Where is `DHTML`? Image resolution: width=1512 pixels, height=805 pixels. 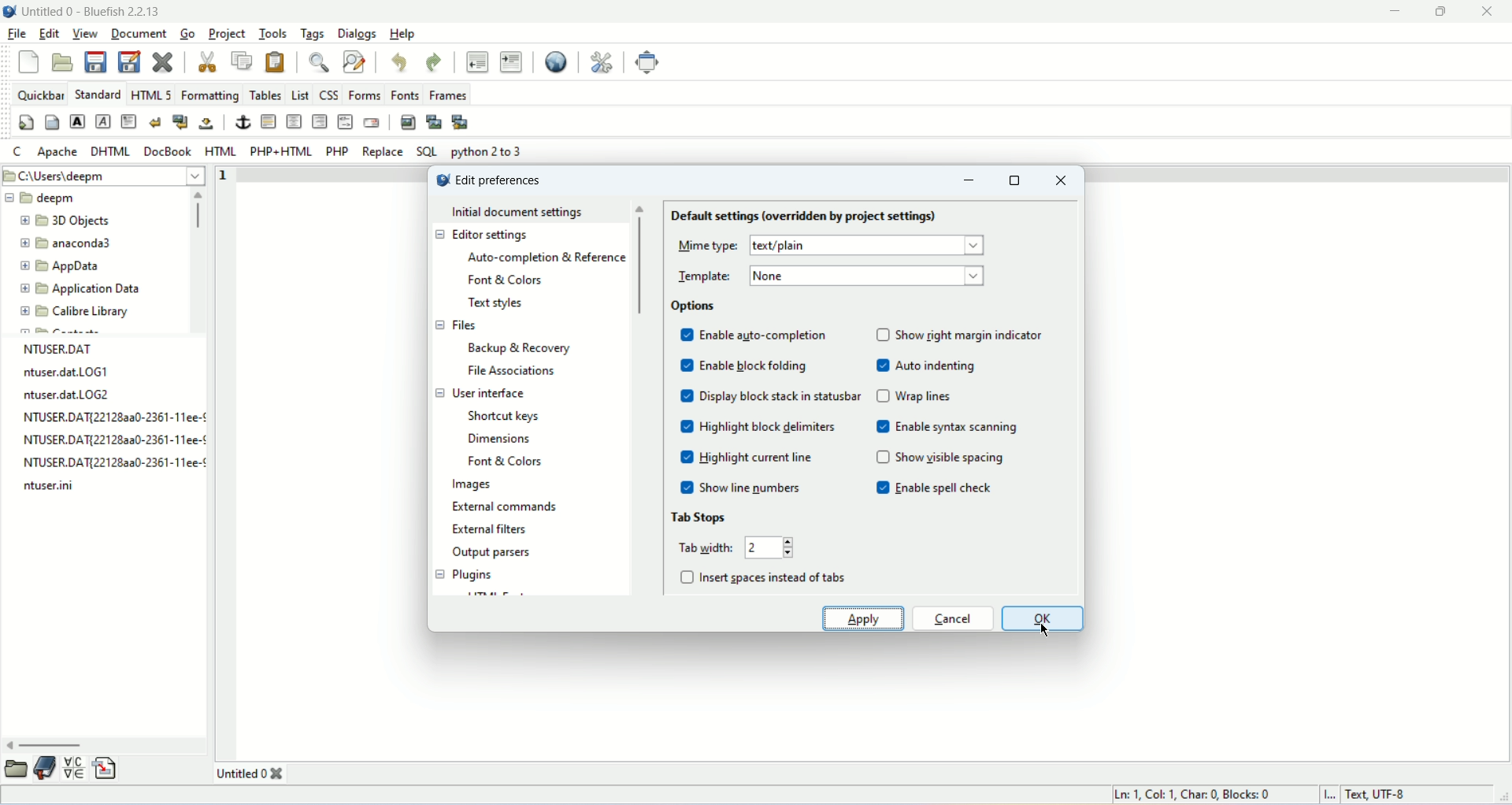 DHTML is located at coordinates (108, 148).